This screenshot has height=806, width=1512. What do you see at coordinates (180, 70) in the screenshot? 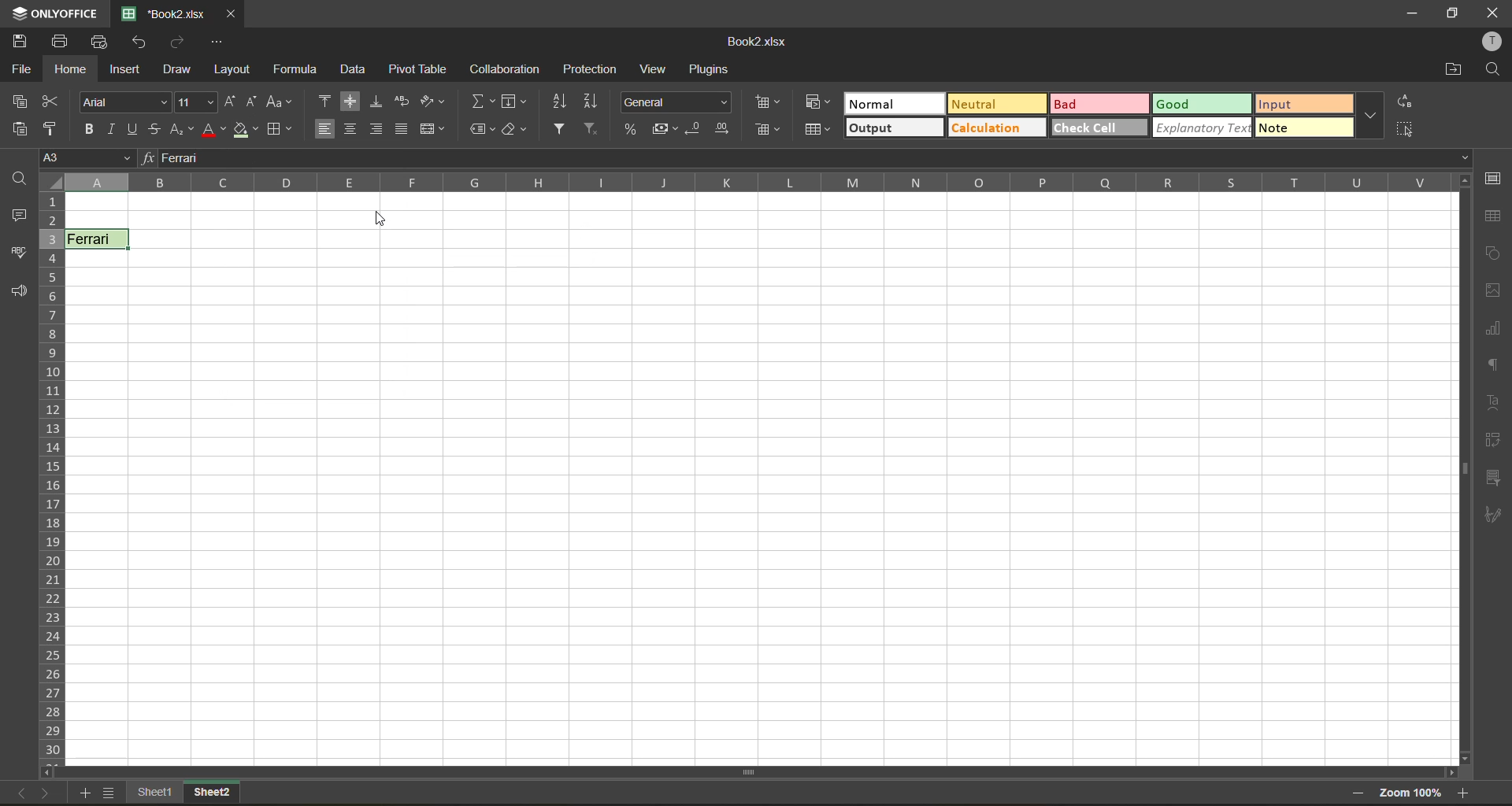
I see `draw` at bounding box center [180, 70].